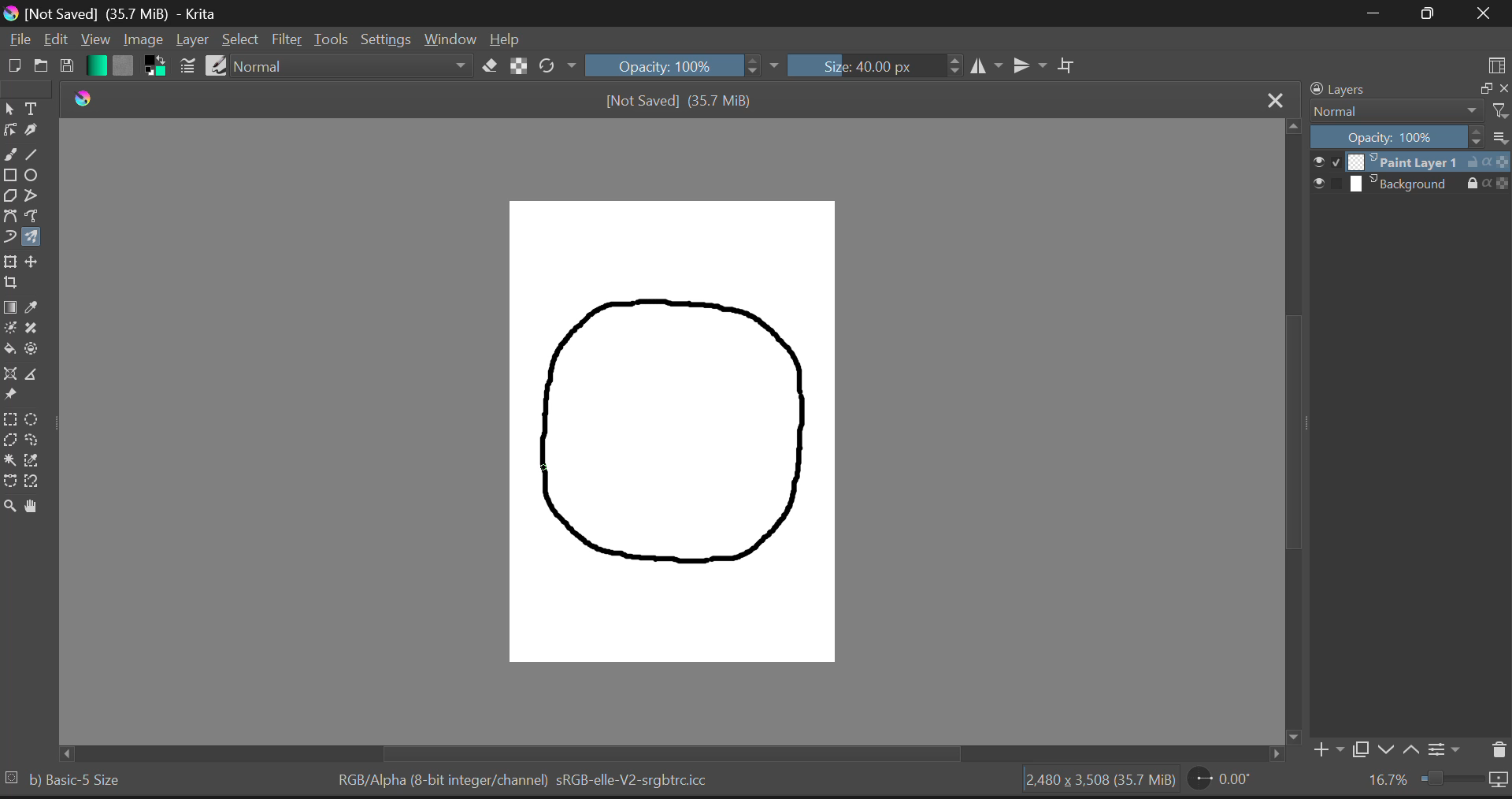 Image resolution: width=1512 pixels, height=799 pixels. Describe the element at coordinates (39, 67) in the screenshot. I see `Open` at that location.